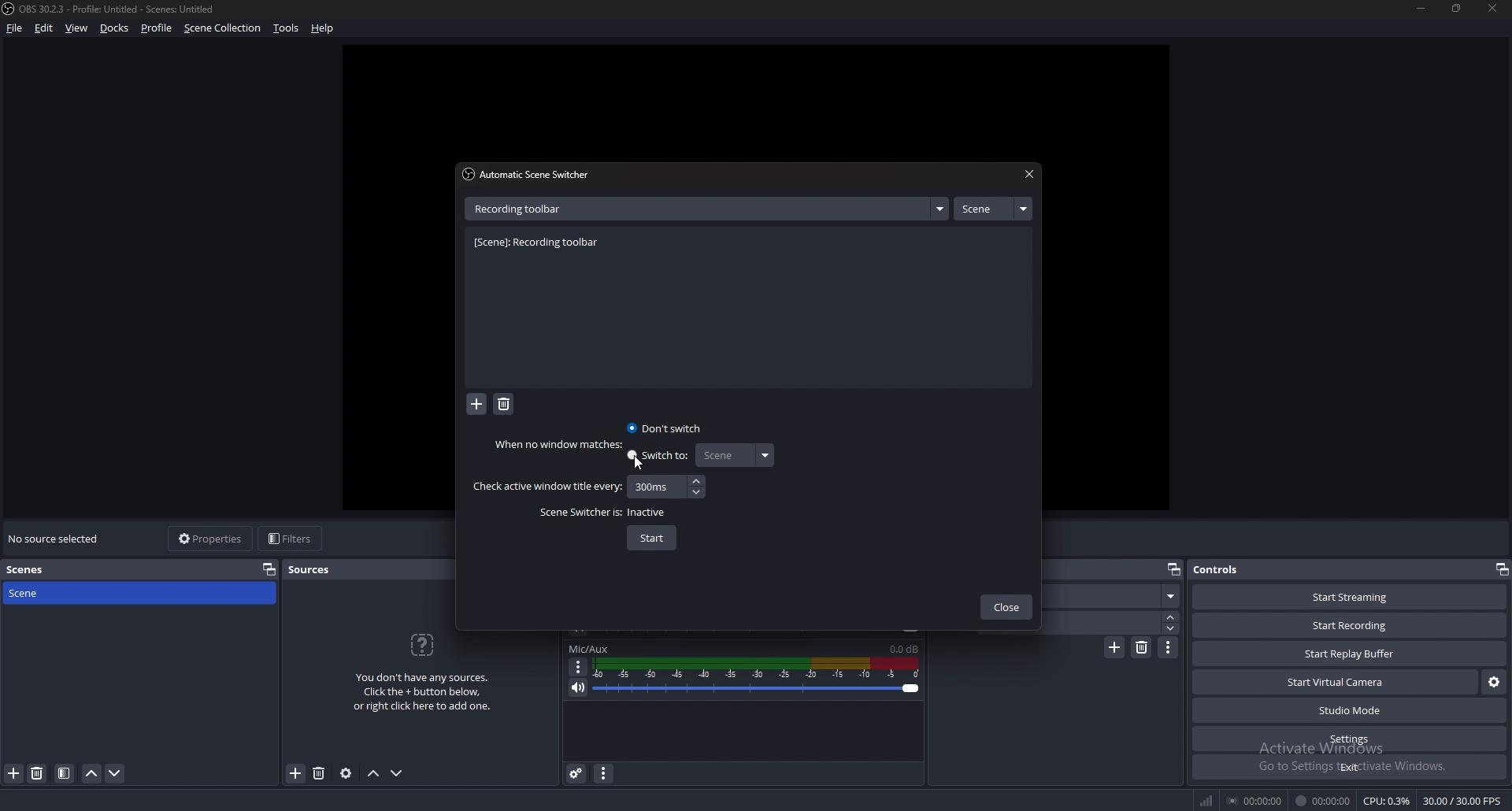 The height and width of the screenshot is (811, 1512). I want to click on increase duration, so click(1172, 616).